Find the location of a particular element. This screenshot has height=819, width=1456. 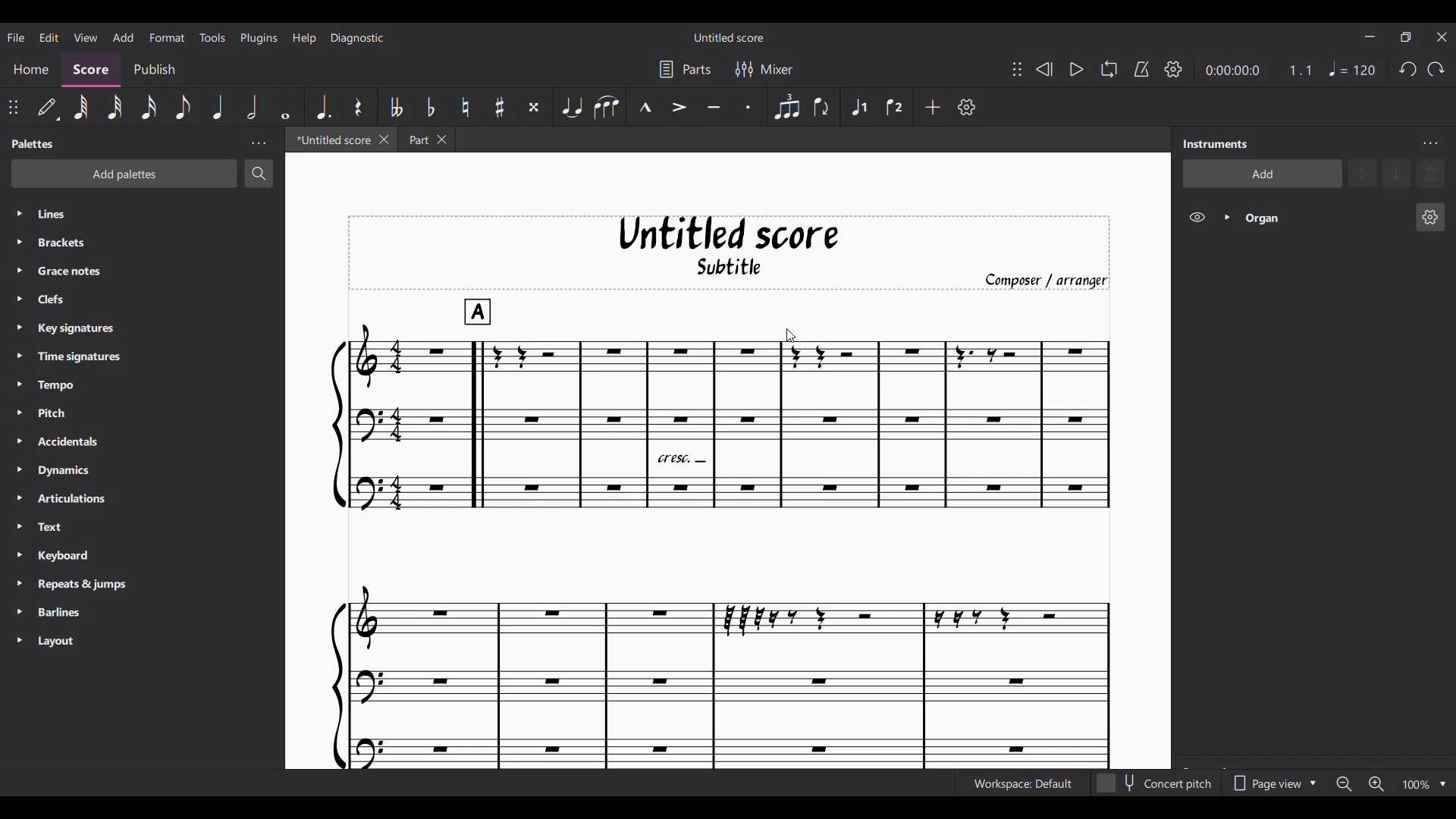

Publish section is located at coordinates (154, 71).